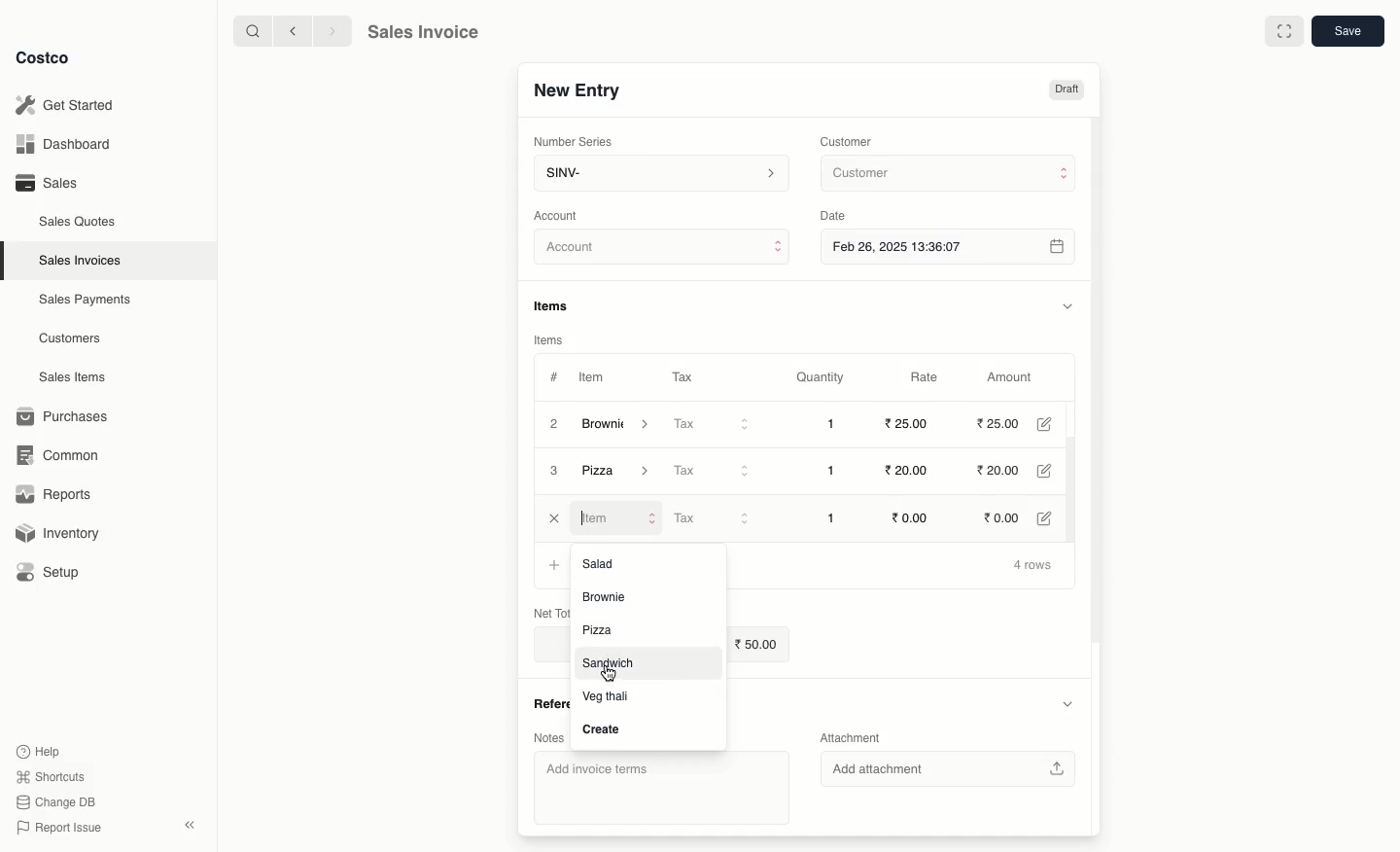  What do you see at coordinates (716, 518) in the screenshot?
I see `Tax` at bounding box center [716, 518].